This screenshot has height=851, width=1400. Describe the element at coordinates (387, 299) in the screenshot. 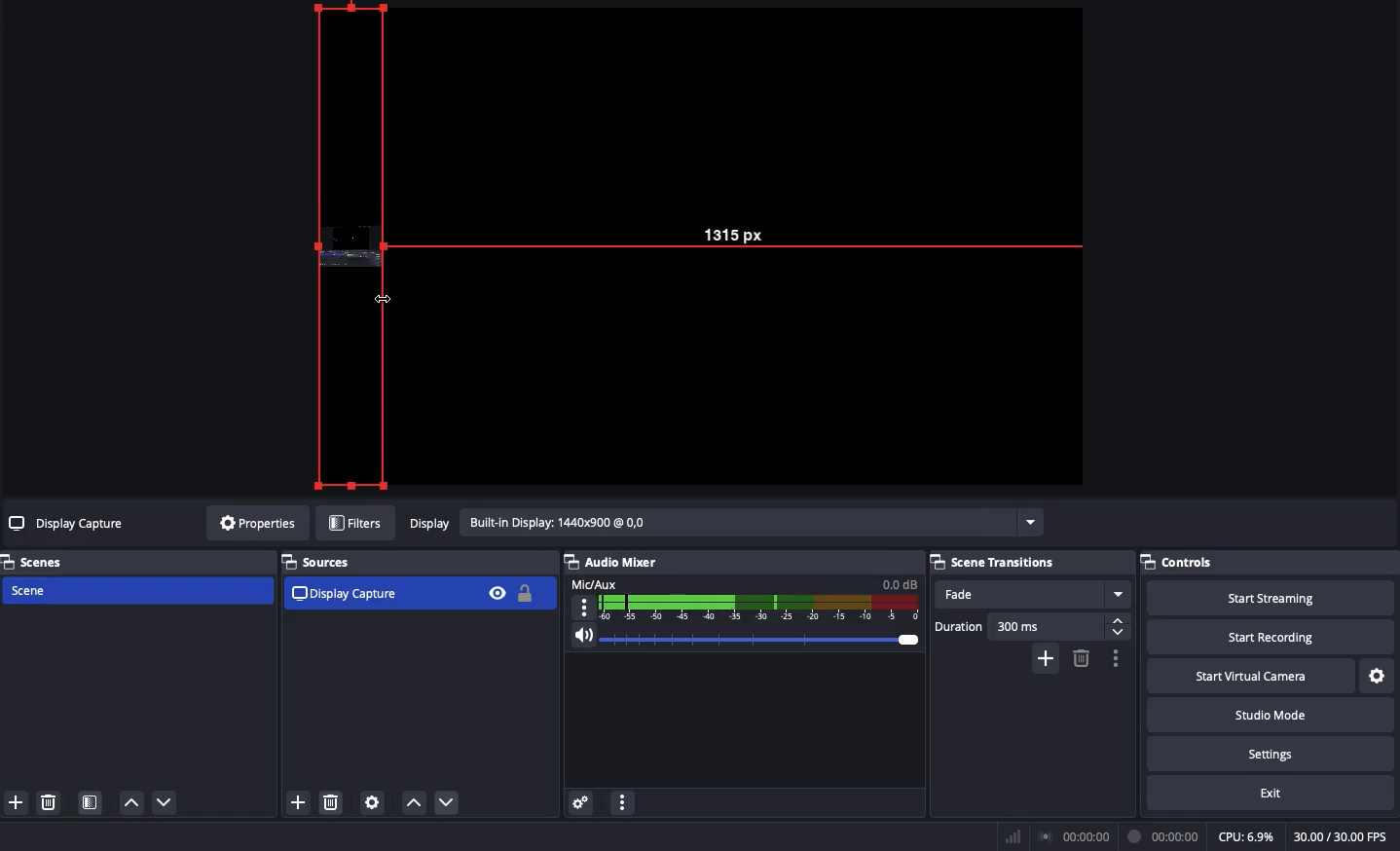

I see `Cursor` at that location.